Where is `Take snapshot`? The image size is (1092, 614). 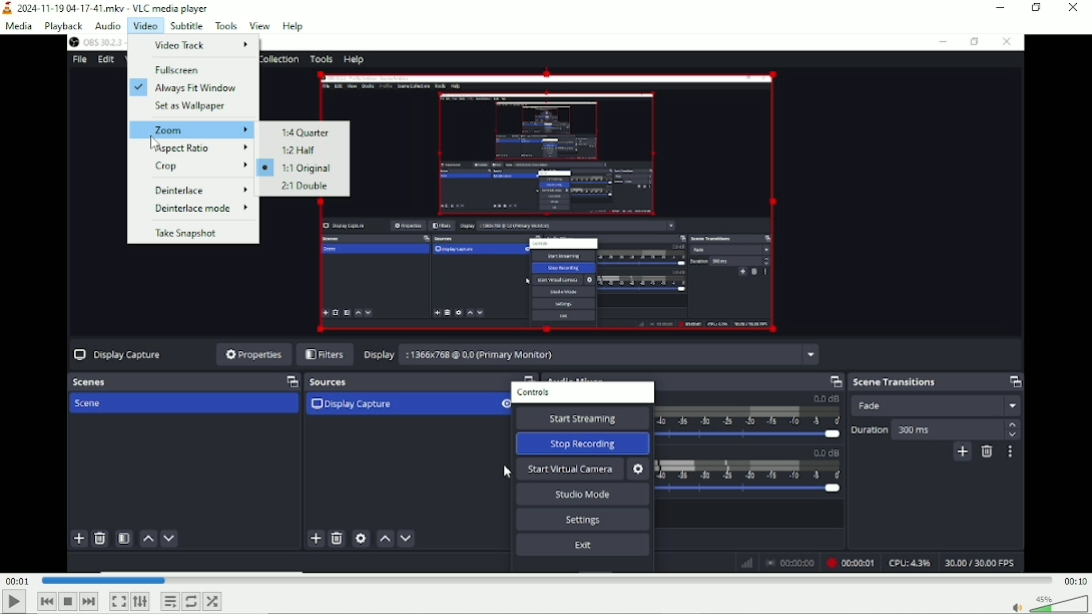
Take snapshot is located at coordinates (194, 232).